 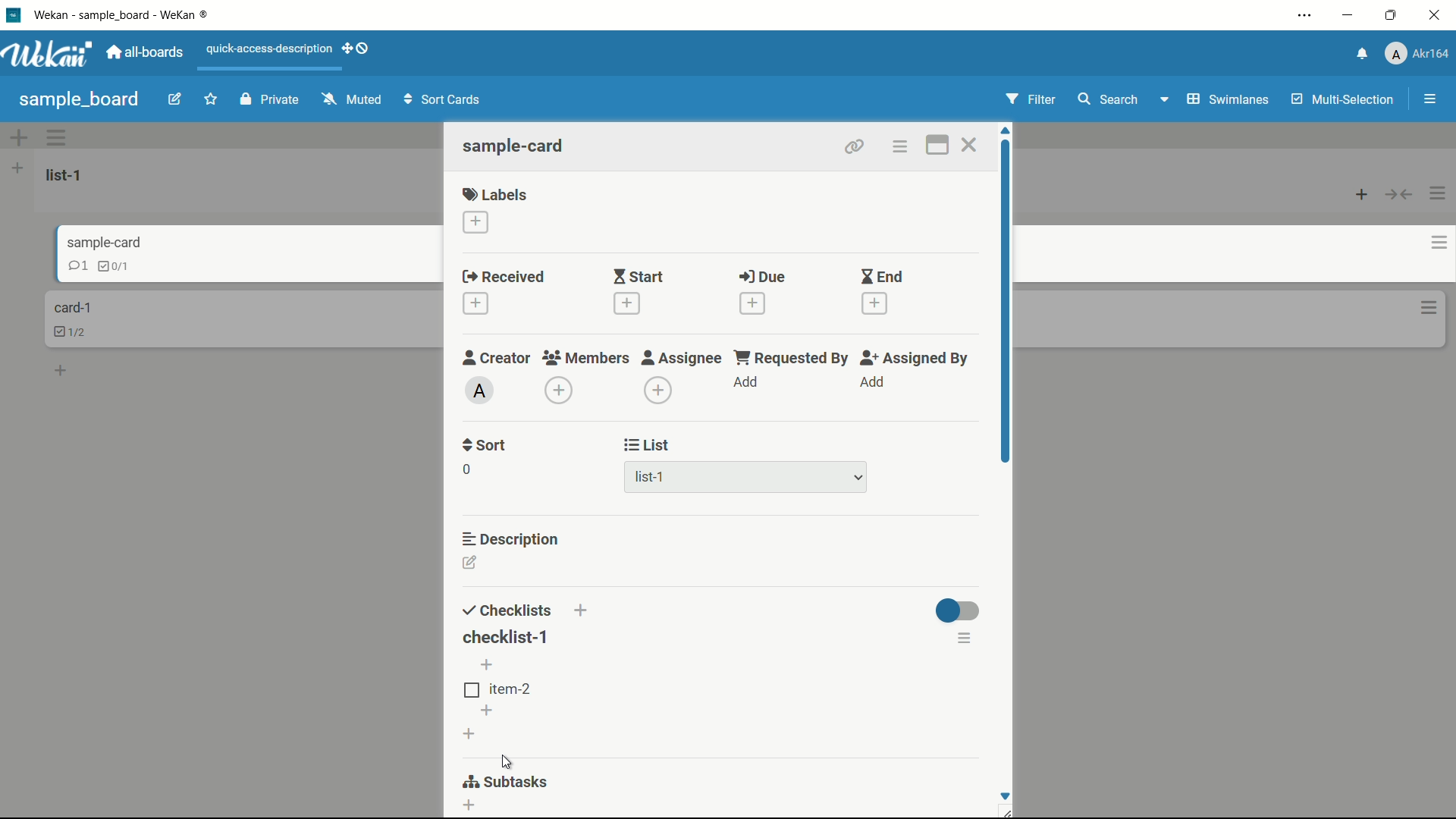 What do you see at coordinates (747, 475) in the screenshot?
I see `list-1` at bounding box center [747, 475].